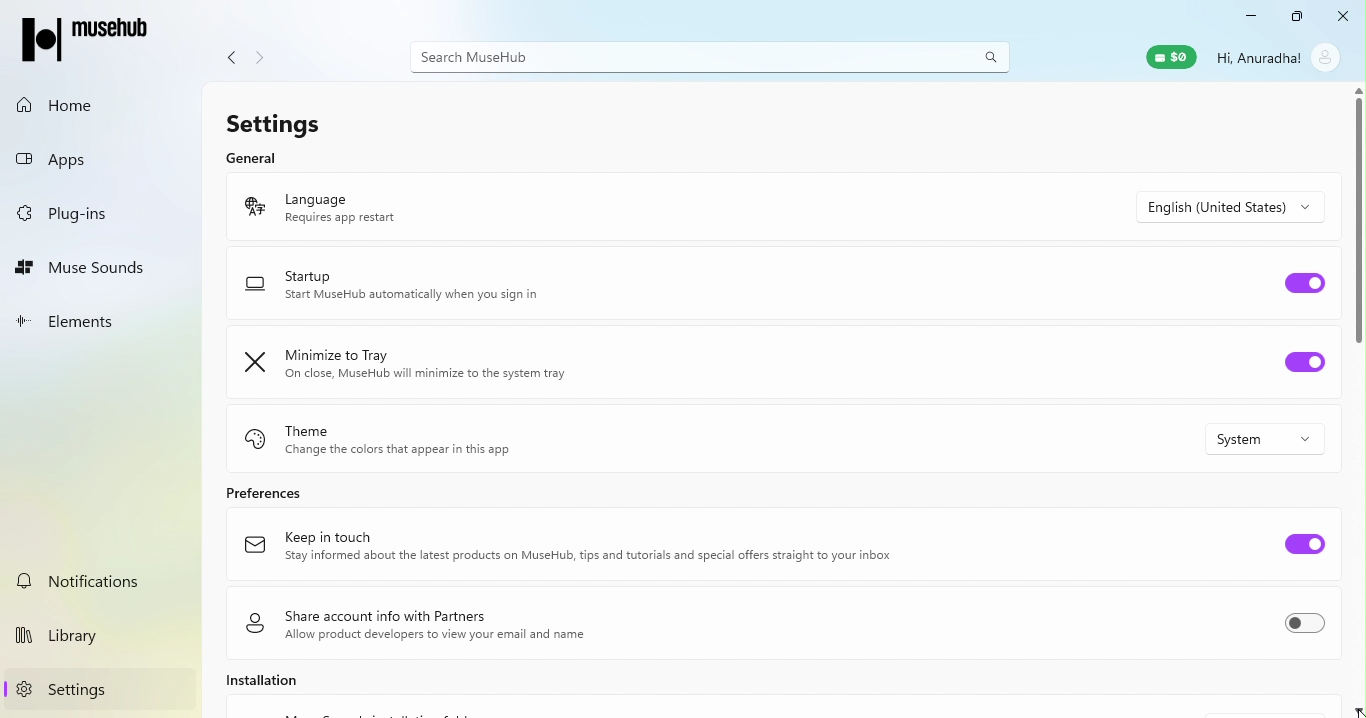 The height and width of the screenshot is (718, 1366). What do you see at coordinates (544, 626) in the screenshot?
I see `Share account info with partners` at bounding box center [544, 626].